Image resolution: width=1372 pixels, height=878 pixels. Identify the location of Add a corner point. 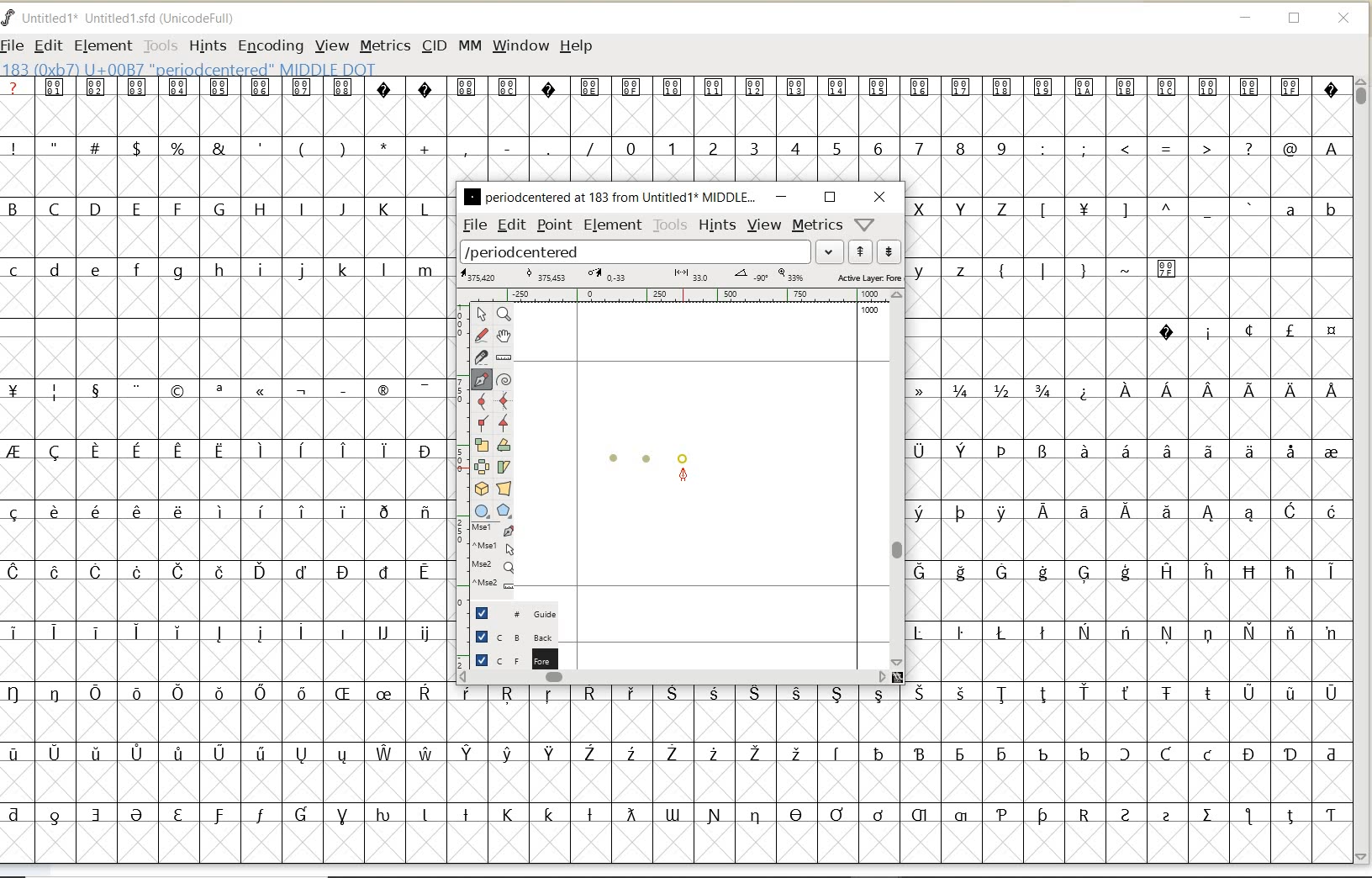
(504, 421).